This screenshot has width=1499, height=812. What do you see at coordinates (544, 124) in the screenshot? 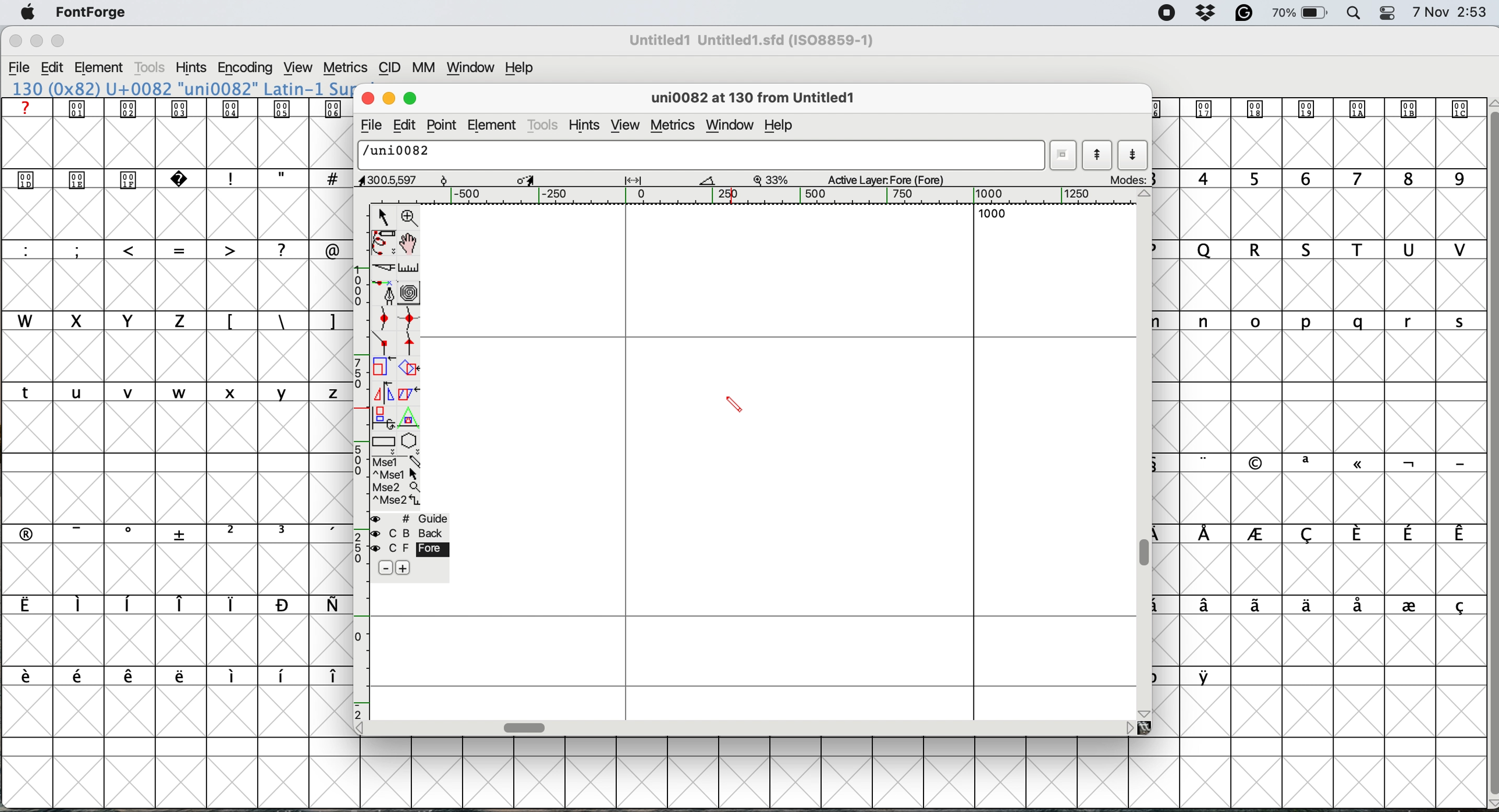
I see `tools` at bounding box center [544, 124].